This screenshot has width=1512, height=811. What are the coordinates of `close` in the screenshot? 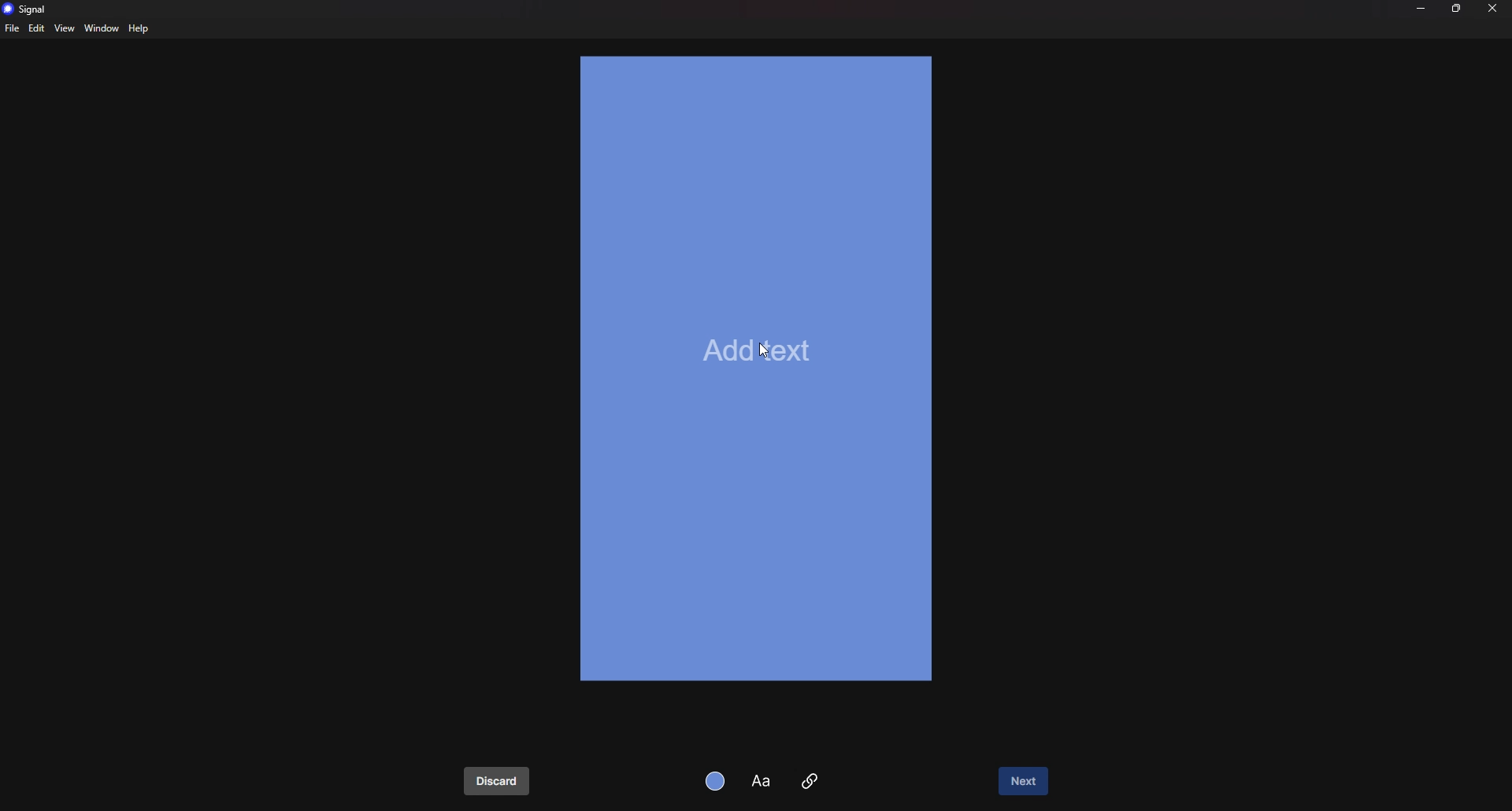 It's located at (1493, 8).